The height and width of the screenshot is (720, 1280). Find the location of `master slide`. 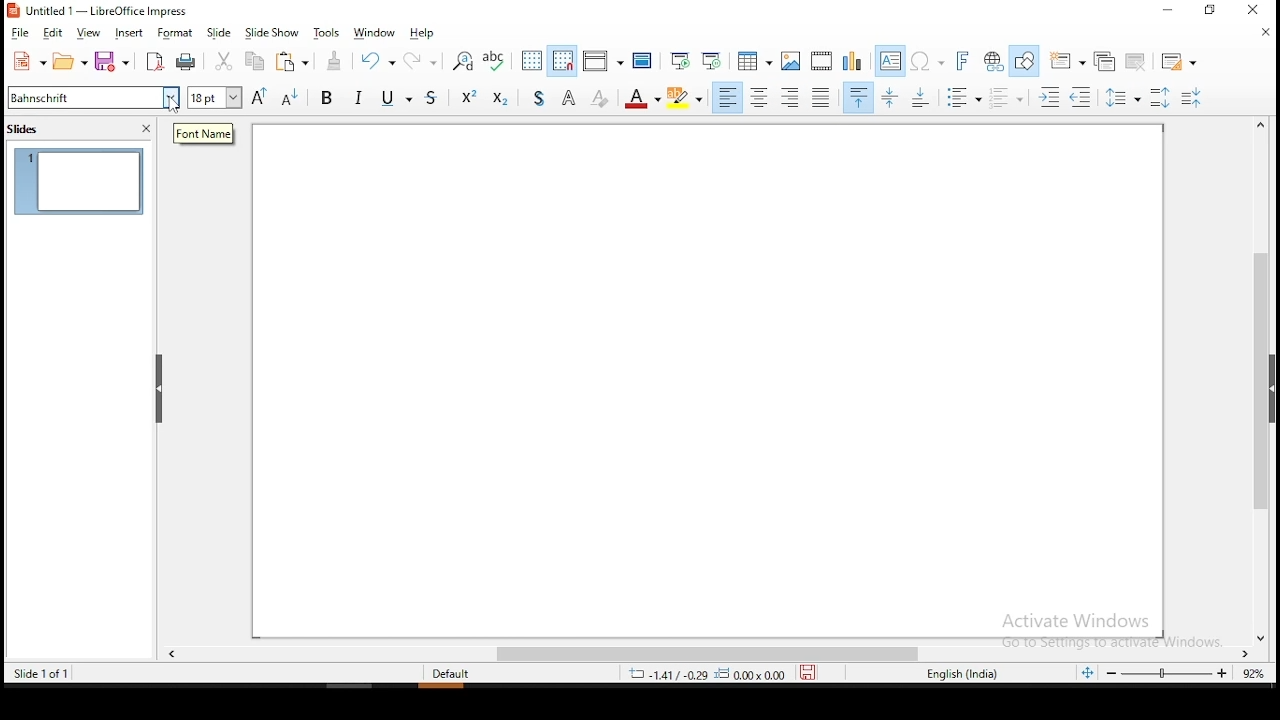

master slide is located at coordinates (642, 61).